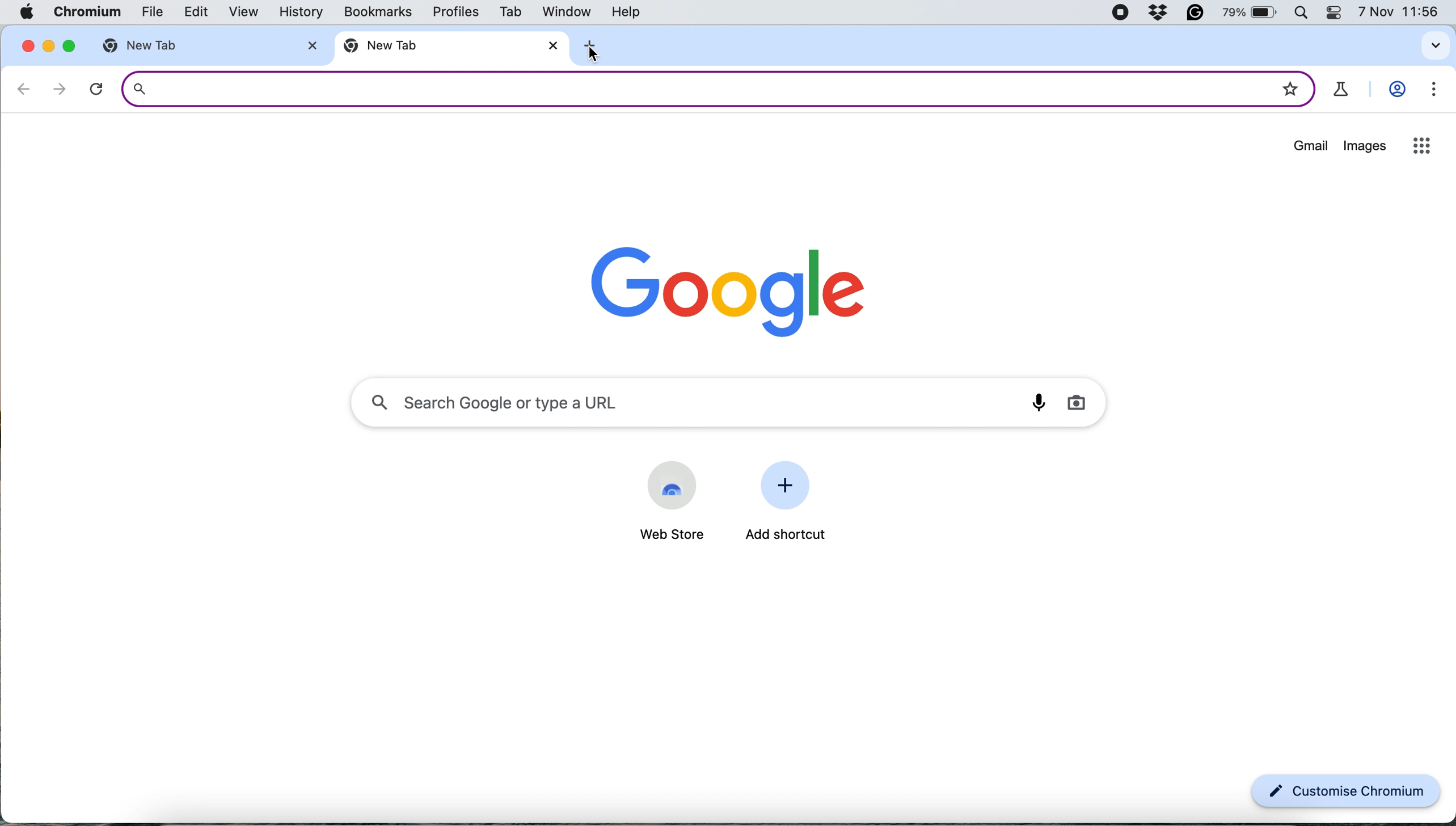 The image size is (1456, 826). Describe the element at coordinates (379, 12) in the screenshot. I see `bookmarks` at that location.